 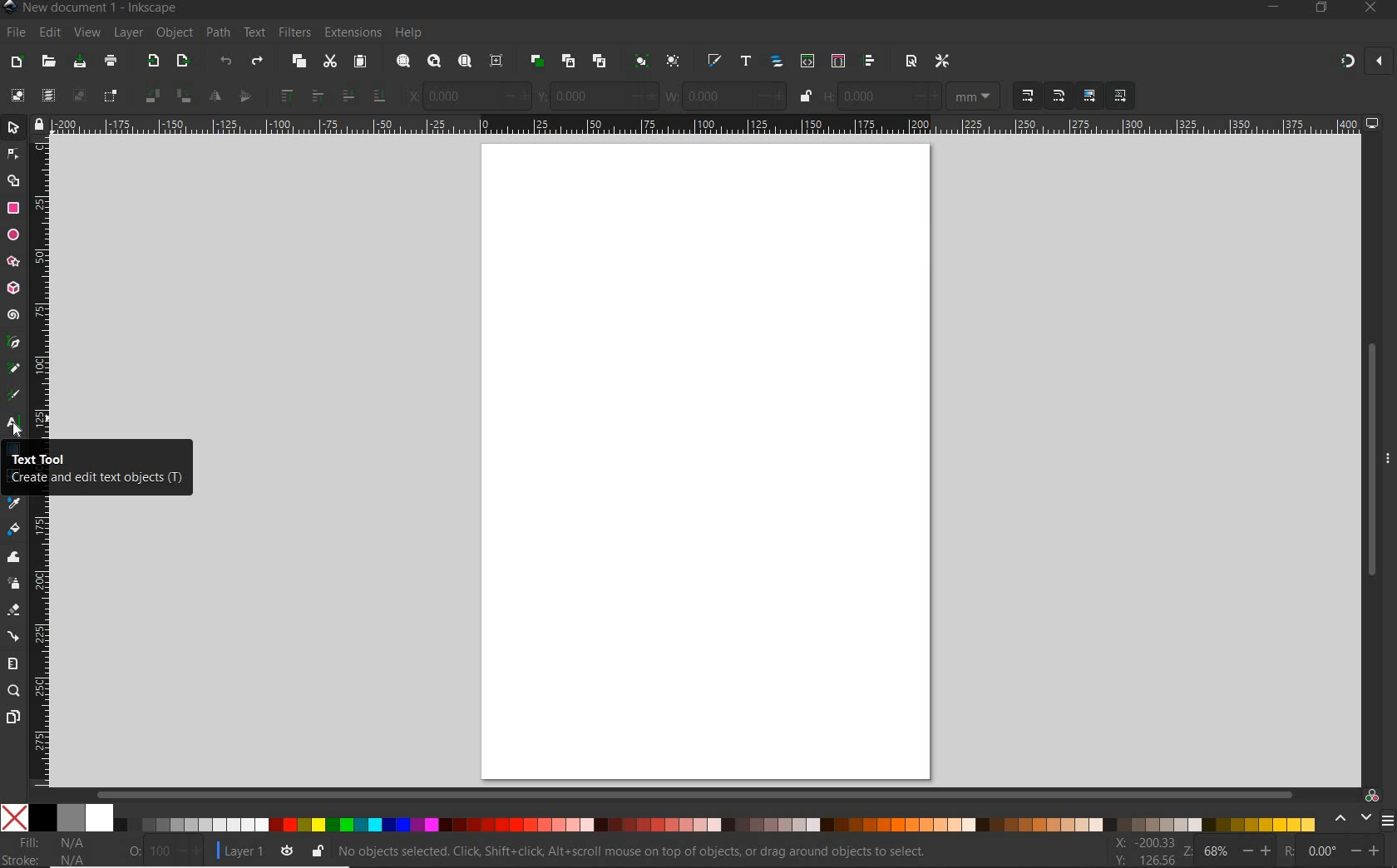 What do you see at coordinates (404, 62) in the screenshot?
I see `zoom selection` at bounding box center [404, 62].